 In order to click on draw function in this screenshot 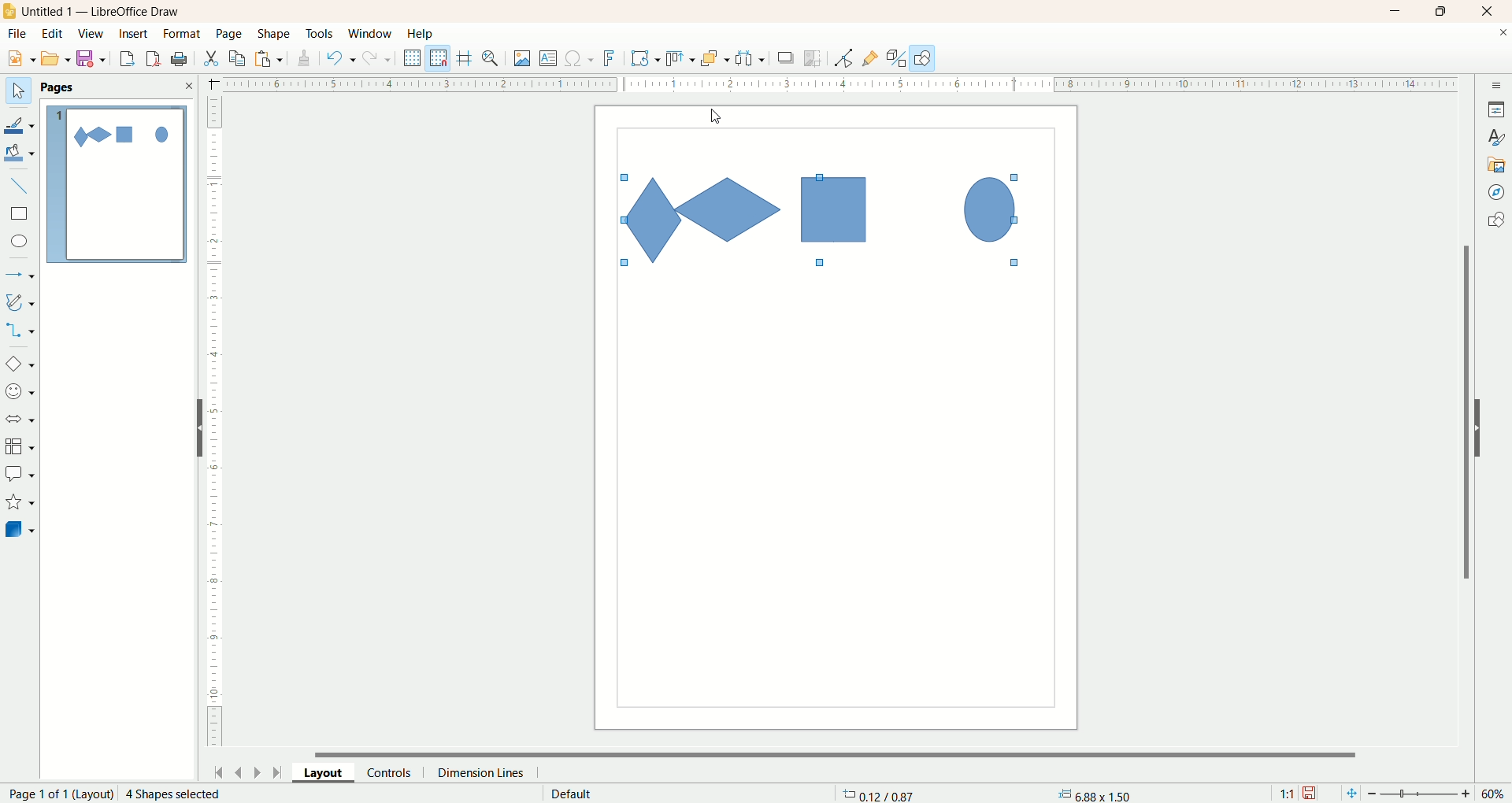, I will do `click(923, 57)`.